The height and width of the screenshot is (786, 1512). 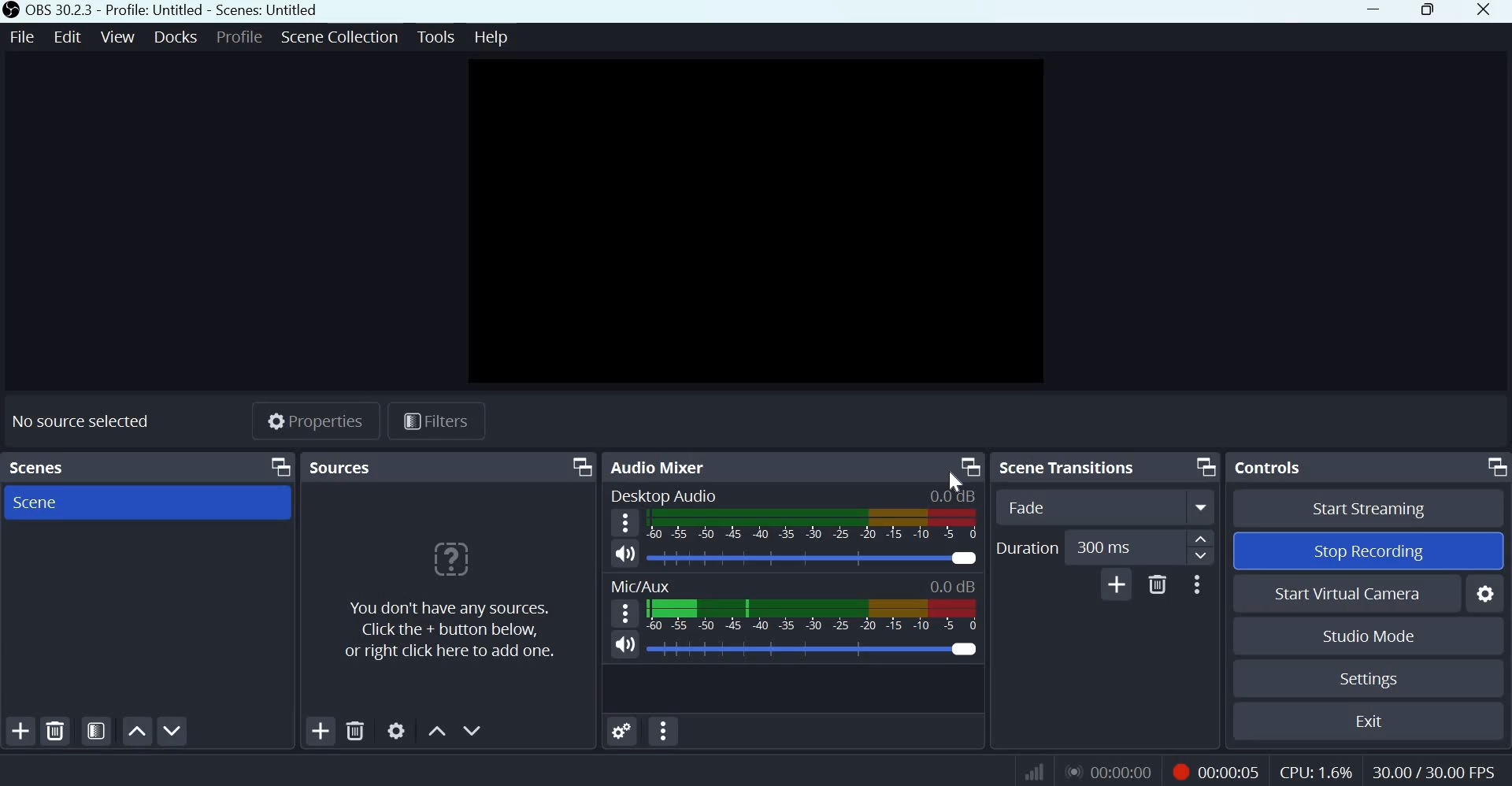 I want to click on Fade, so click(x=1110, y=507).